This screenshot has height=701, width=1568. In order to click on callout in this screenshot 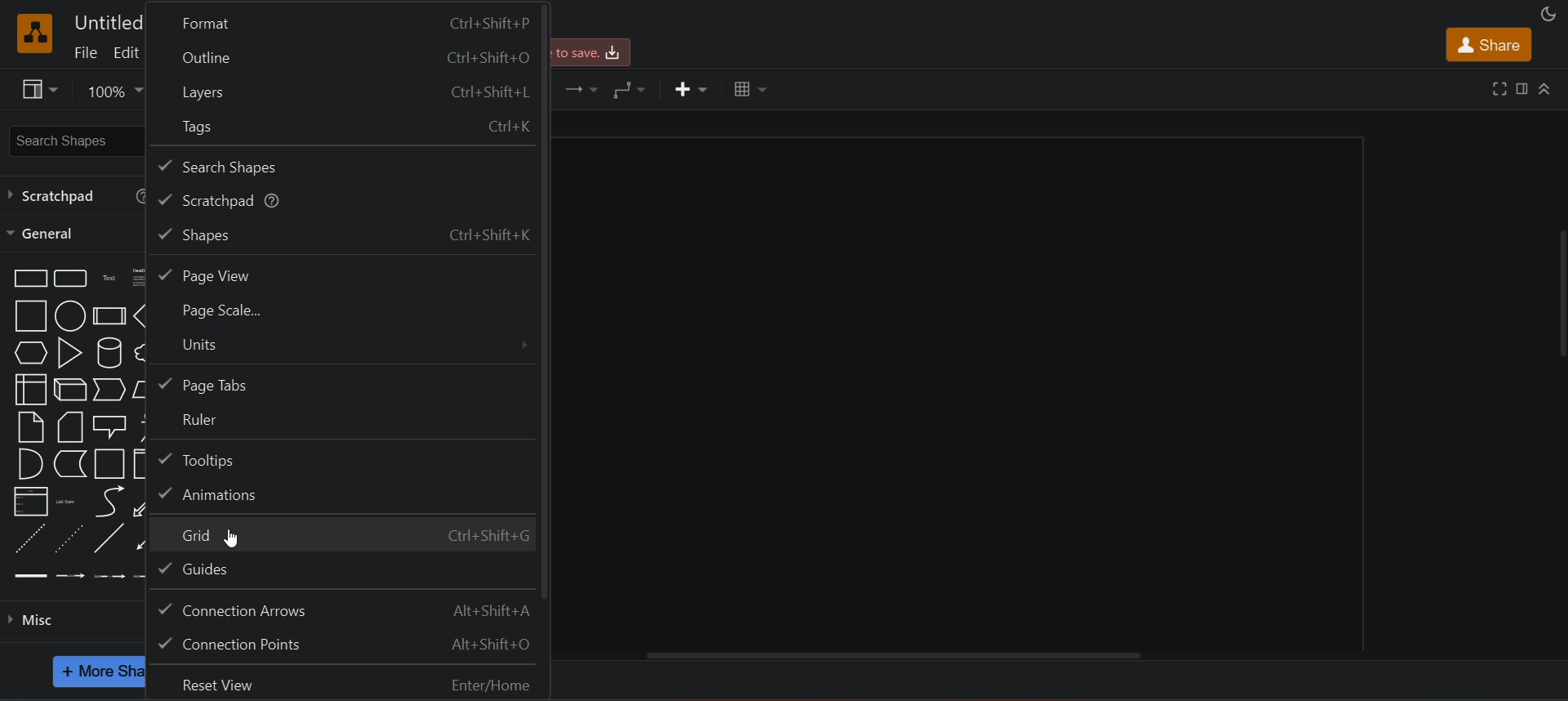, I will do `click(108, 427)`.